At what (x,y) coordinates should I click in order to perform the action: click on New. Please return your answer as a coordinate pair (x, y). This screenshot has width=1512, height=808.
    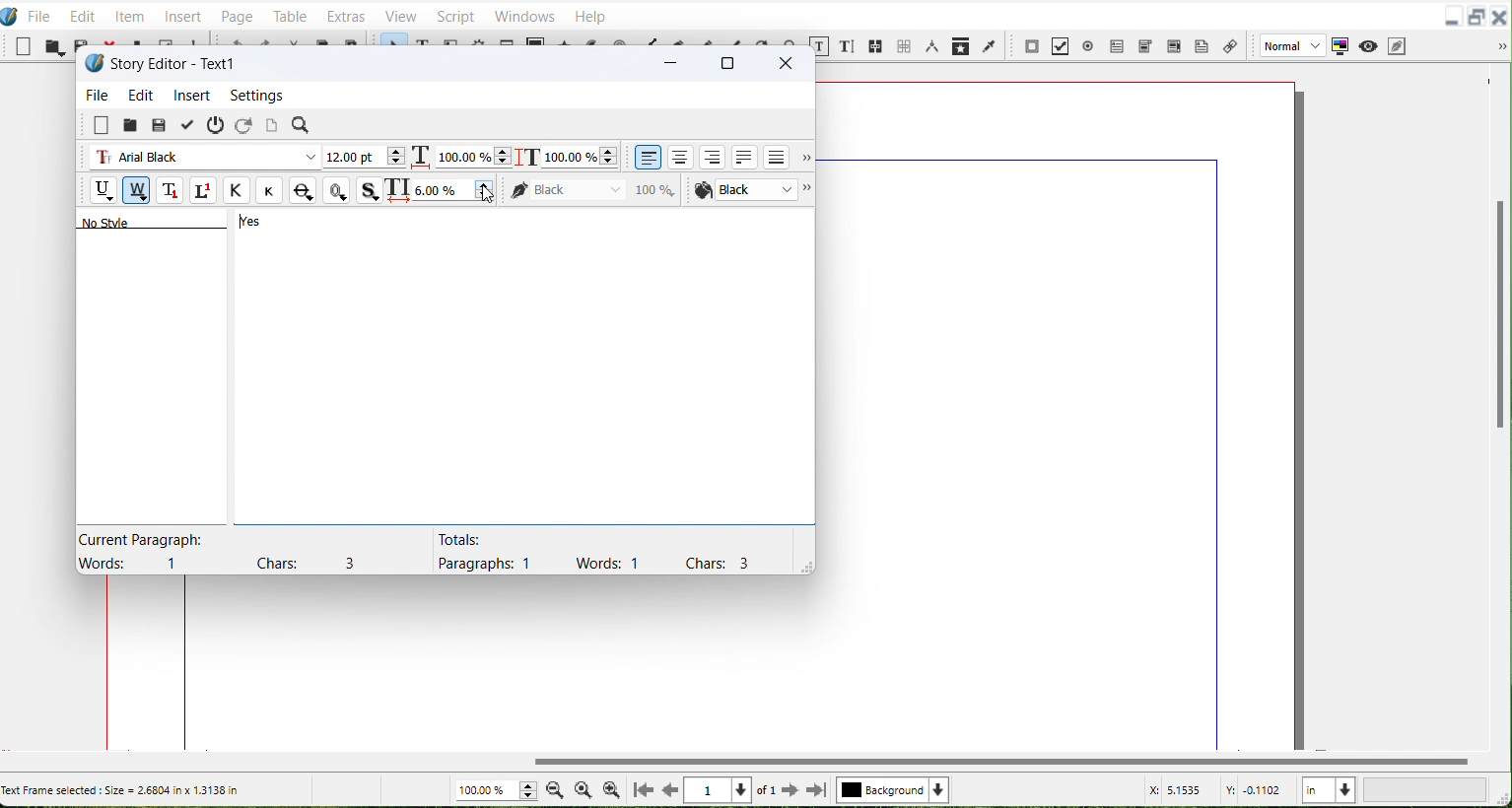
    Looking at the image, I should click on (24, 46).